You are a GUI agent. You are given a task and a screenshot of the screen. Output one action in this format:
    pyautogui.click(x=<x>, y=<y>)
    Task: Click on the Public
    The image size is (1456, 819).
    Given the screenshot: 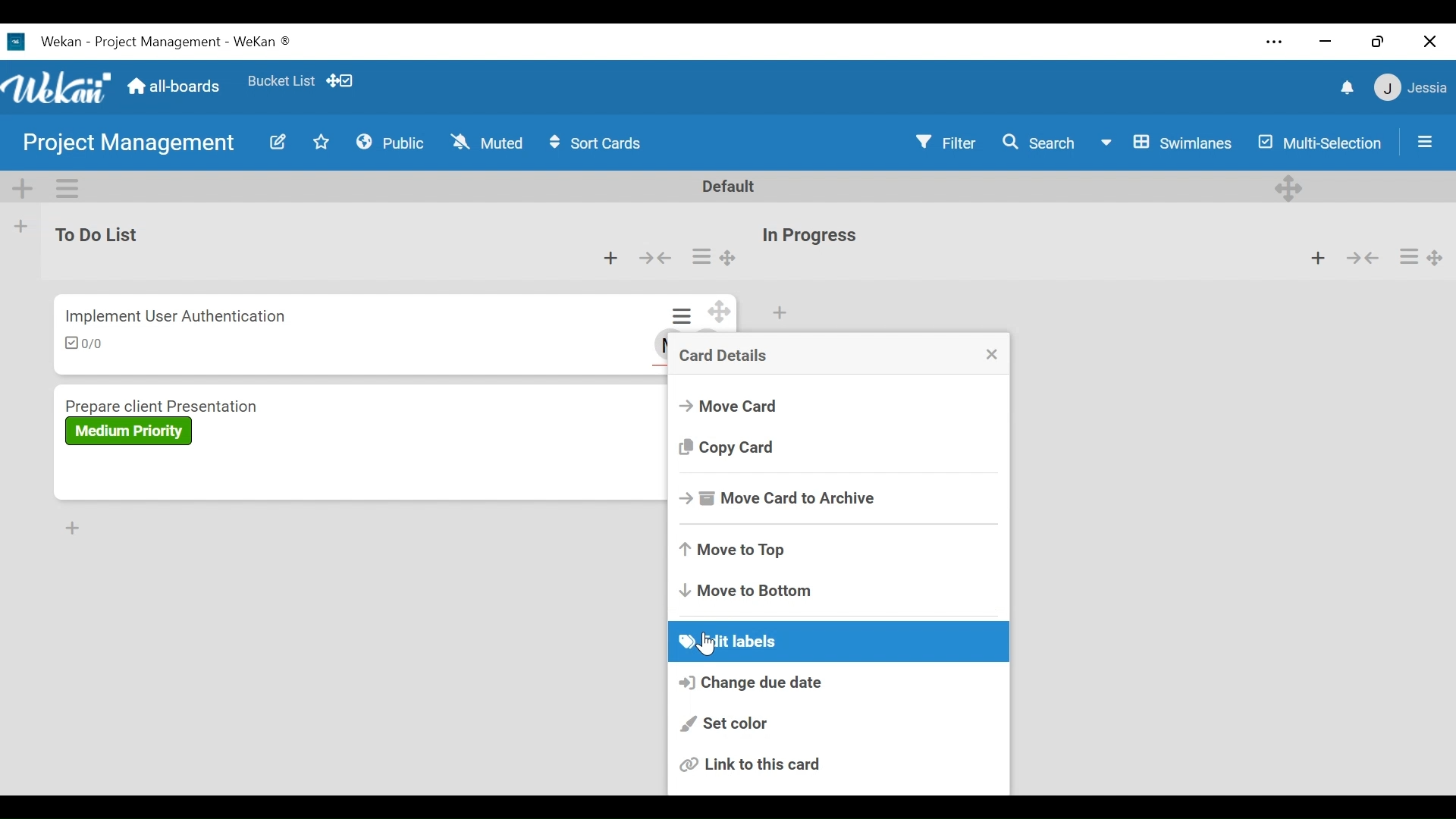 What is the action you would take?
    pyautogui.click(x=391, y=141)
    